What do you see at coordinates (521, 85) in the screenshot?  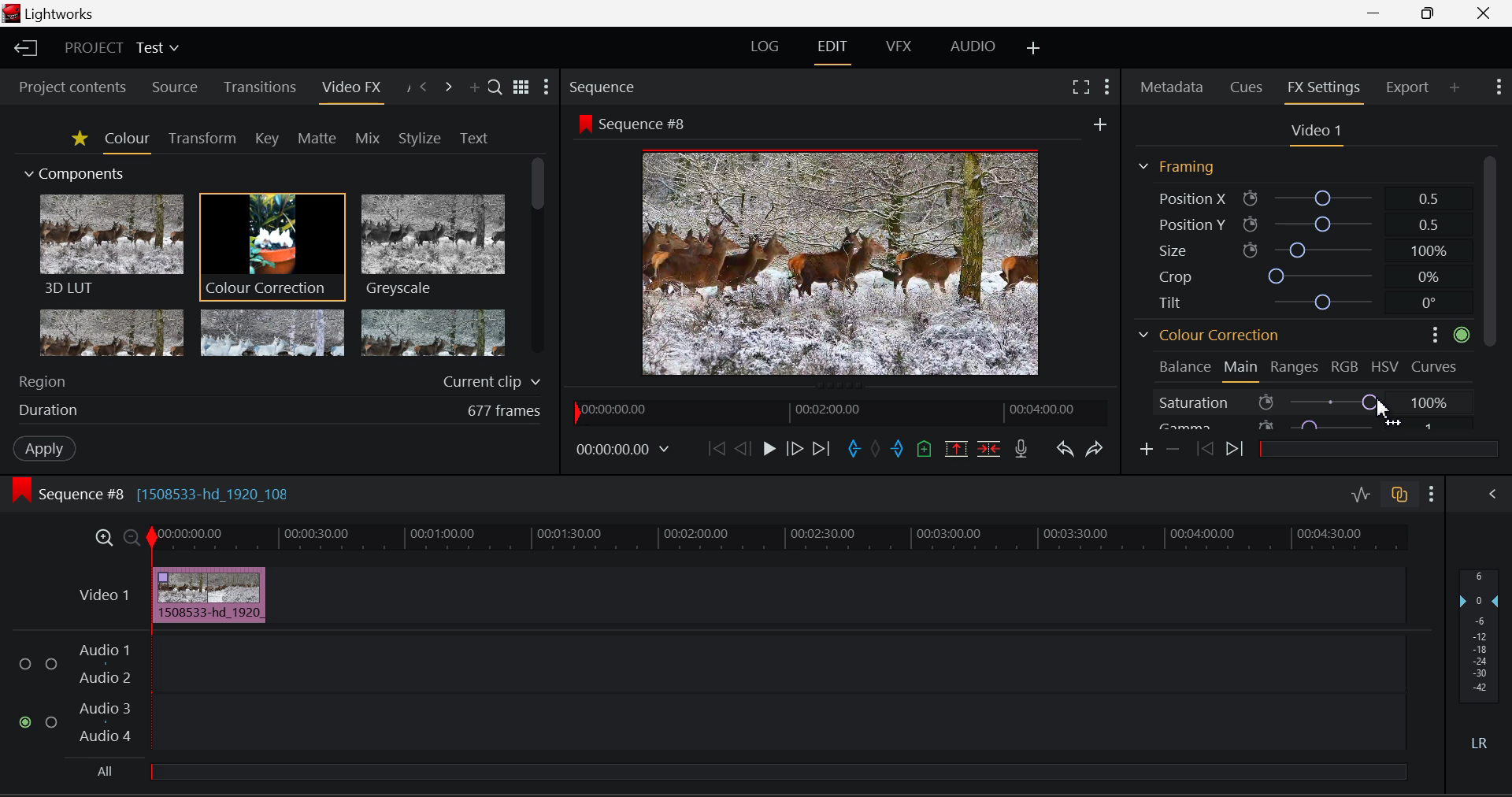 I see `Toggle between title and list view` at bounding box center [521, 85].